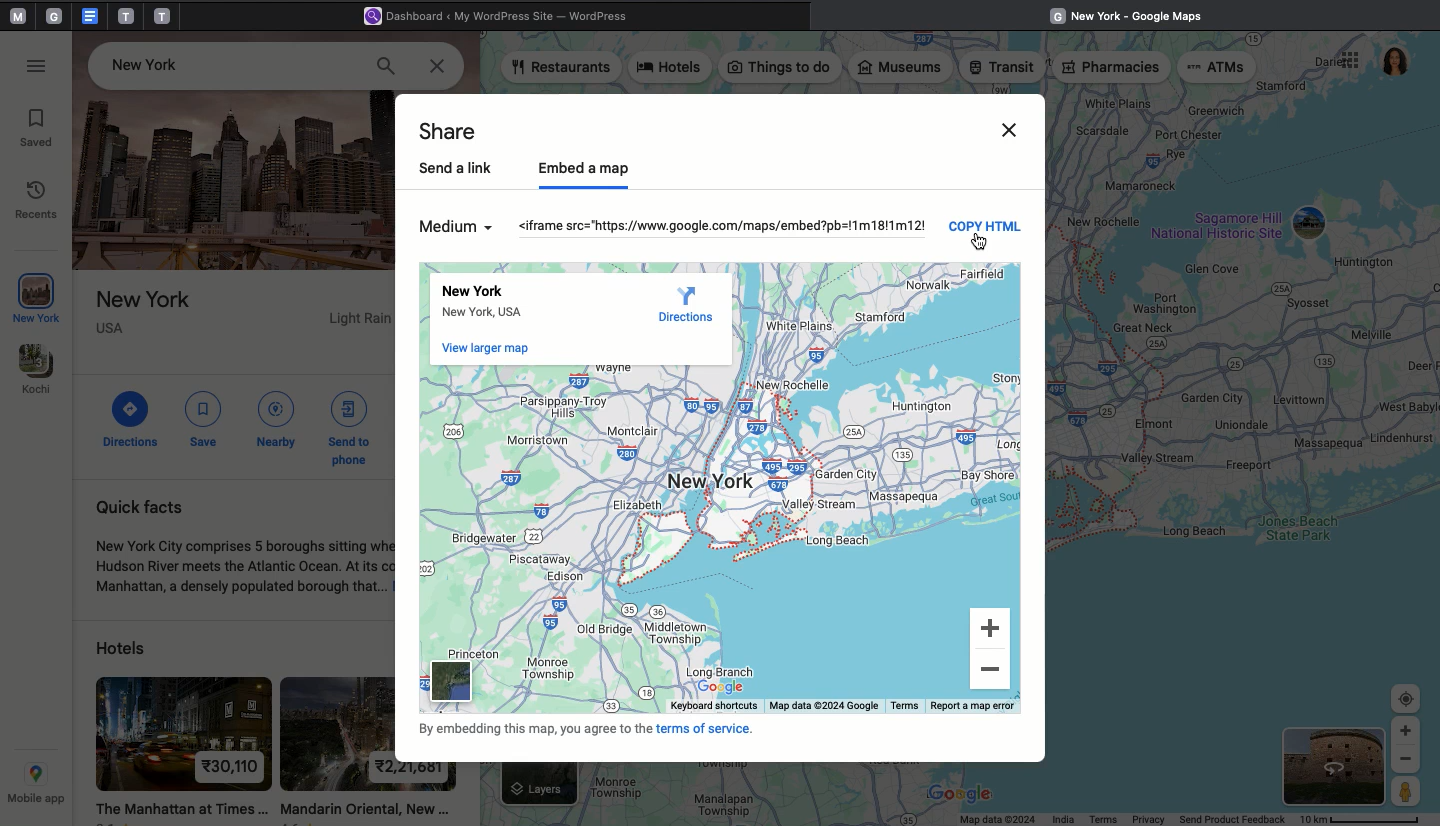 Image resolution: width=1440 pixels, height=826 pixels. I want to click on Quick facts, so click(243, 548).